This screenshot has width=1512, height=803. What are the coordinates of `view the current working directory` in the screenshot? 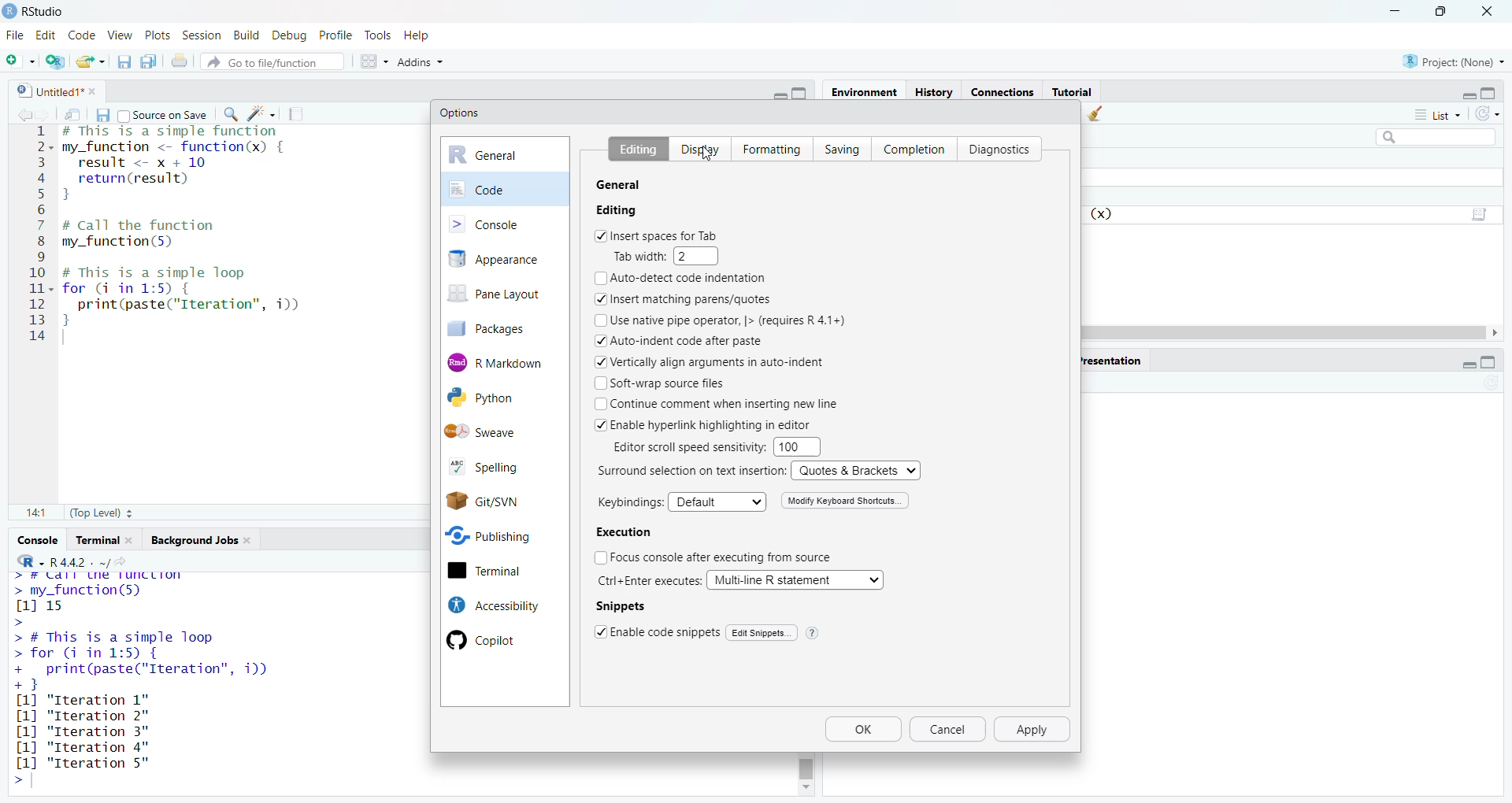 It's located at (128, 561).